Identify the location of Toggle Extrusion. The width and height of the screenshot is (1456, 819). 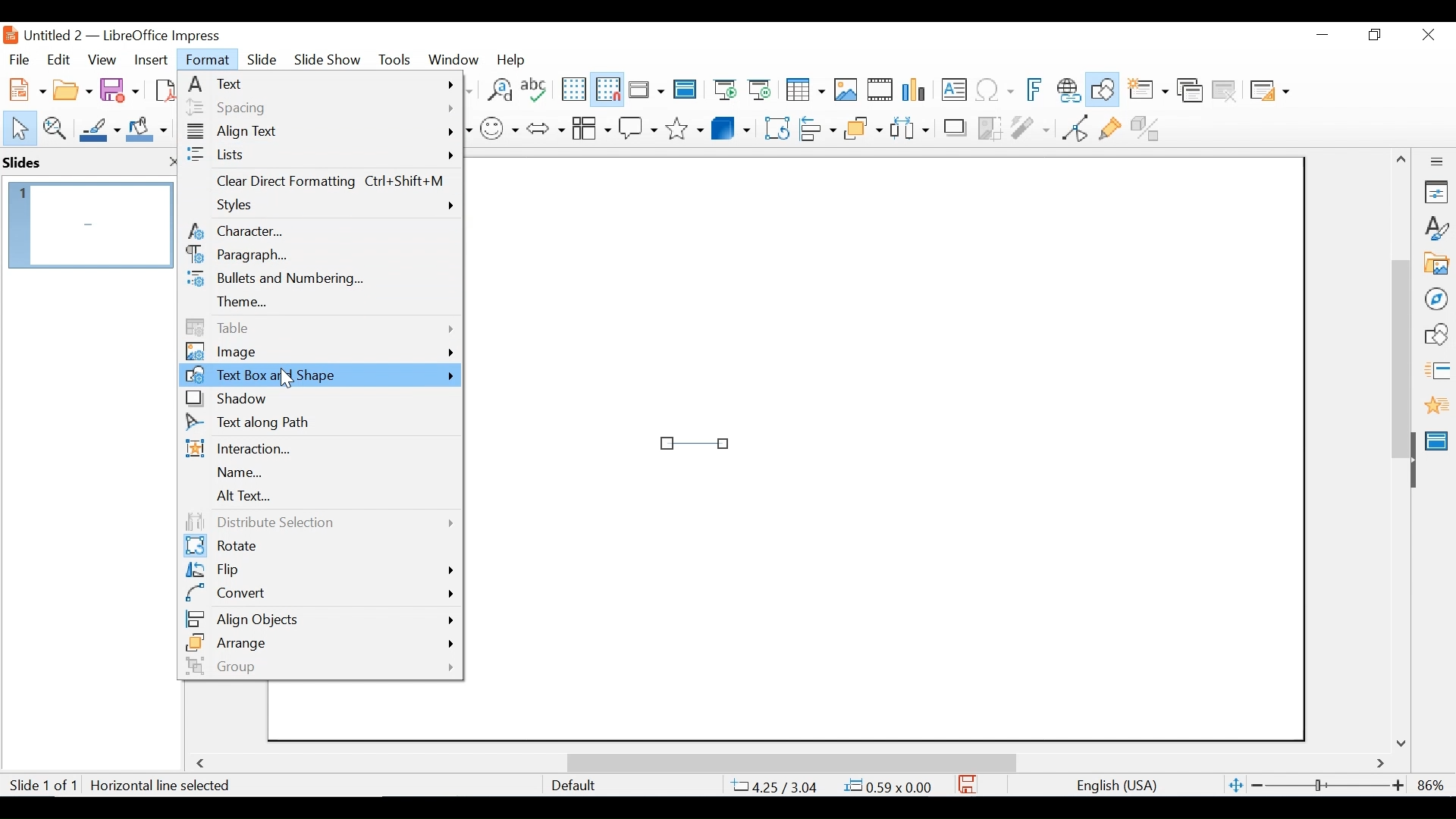
(1149, 127).